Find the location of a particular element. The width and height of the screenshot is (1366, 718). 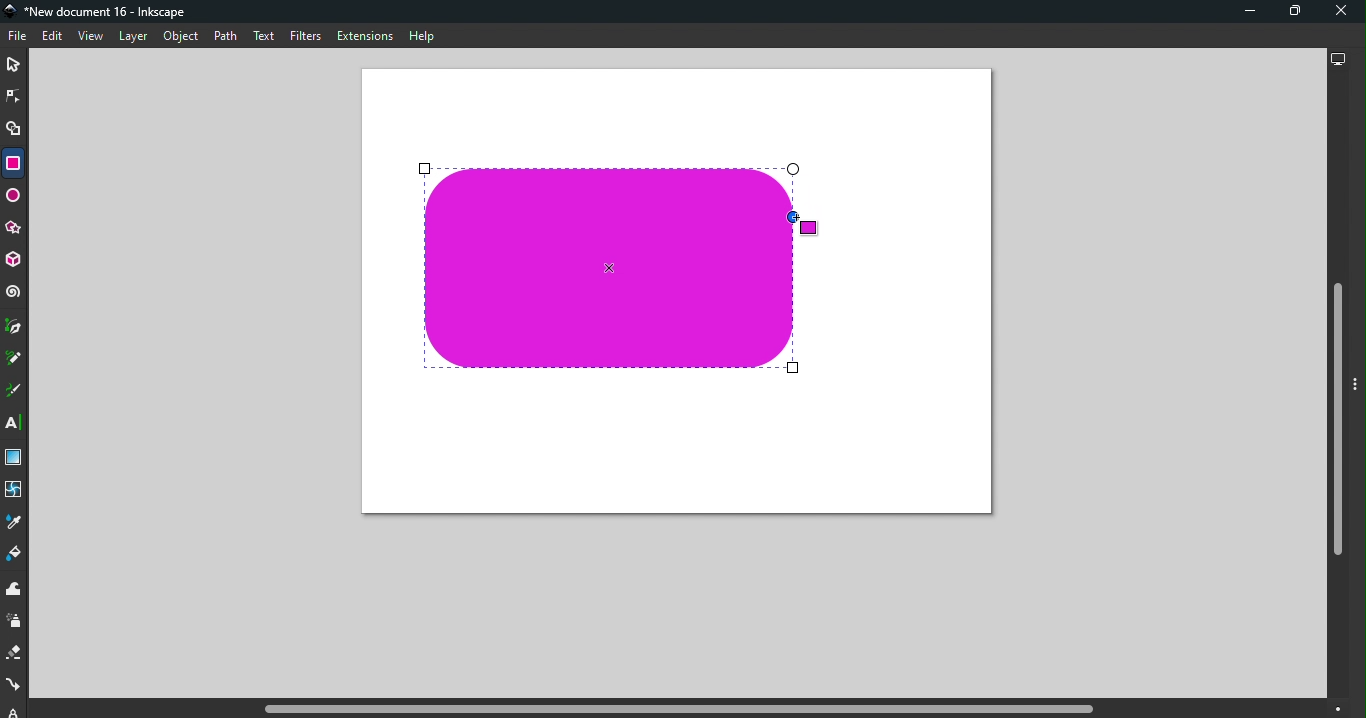

Eraser tool is located at coordinates (16, 653).